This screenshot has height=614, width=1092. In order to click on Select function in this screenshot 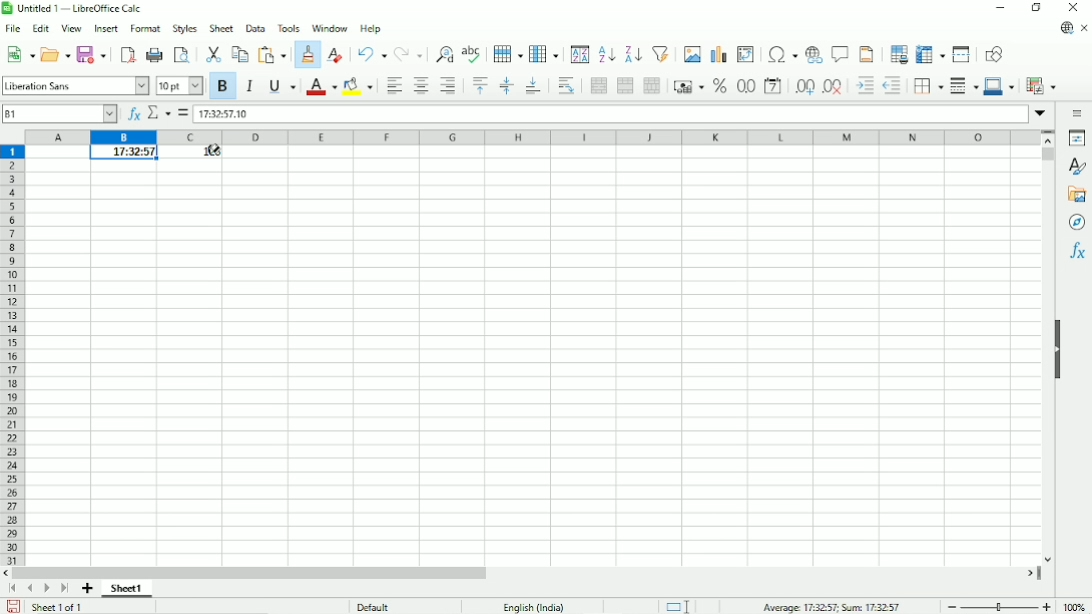, I will do `click(158, 113)`.